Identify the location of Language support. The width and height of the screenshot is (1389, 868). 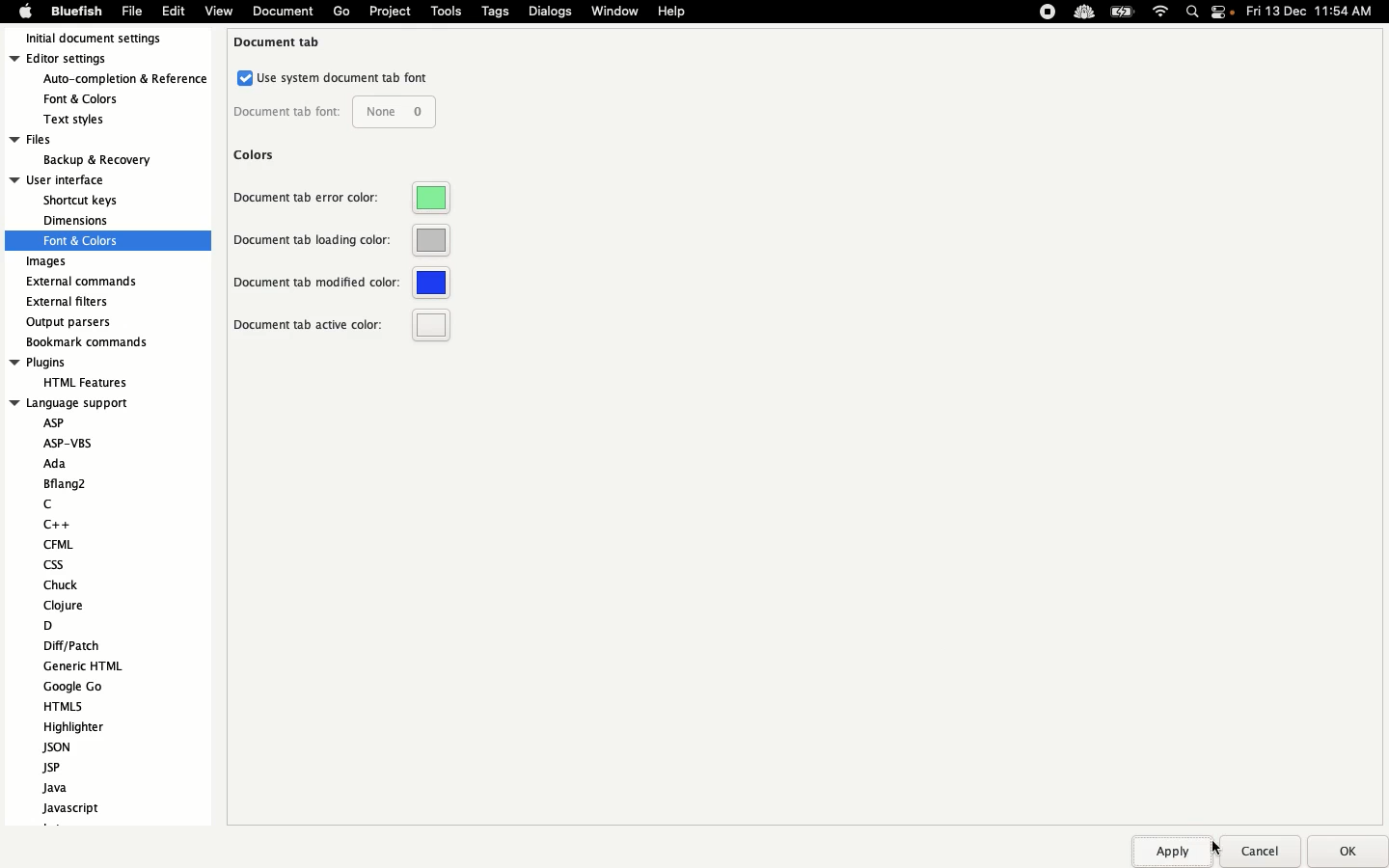
(94, 615).